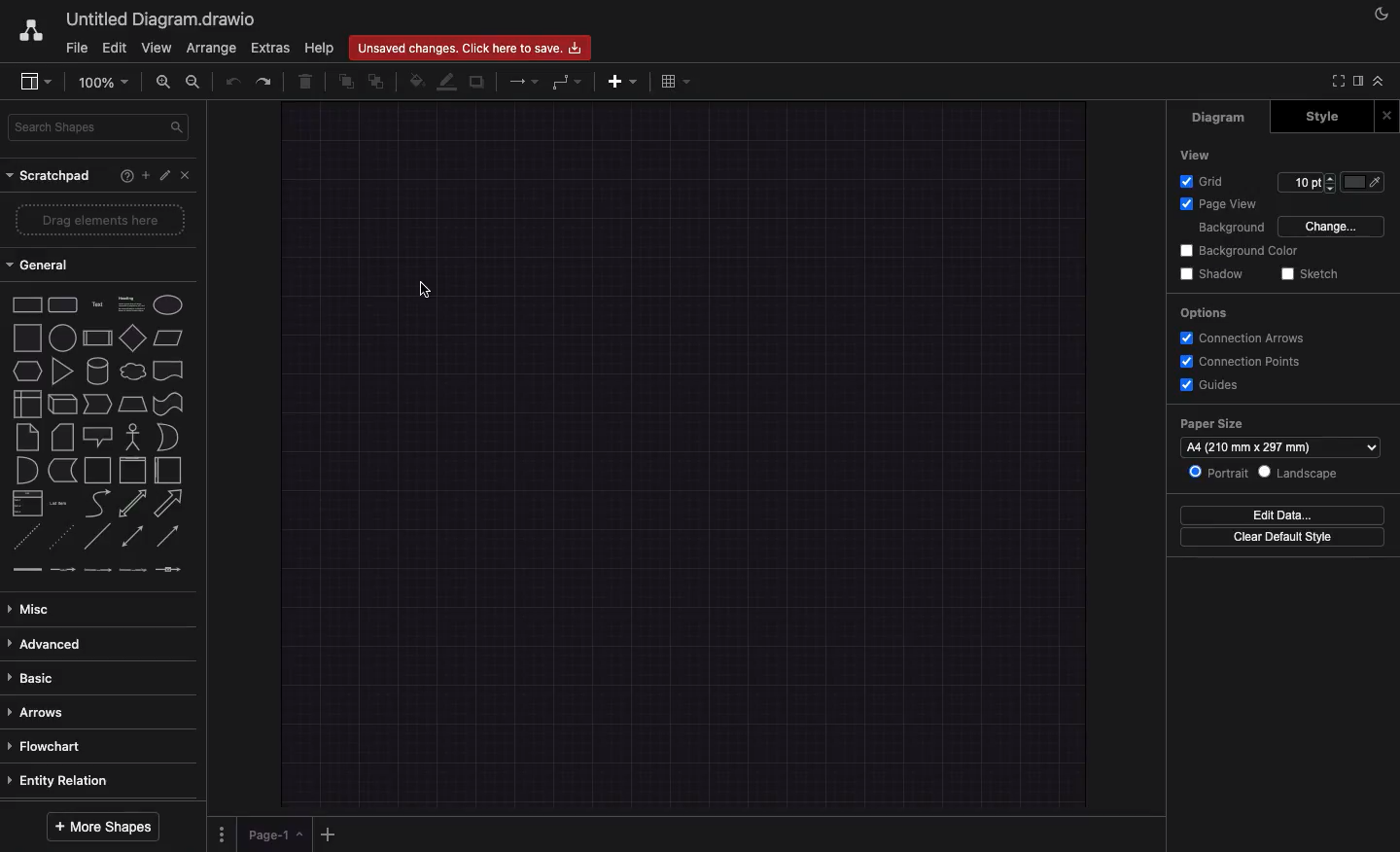  Describe the element at coordinates (25, 538) in the screenshot. I see `dashed` at that location.